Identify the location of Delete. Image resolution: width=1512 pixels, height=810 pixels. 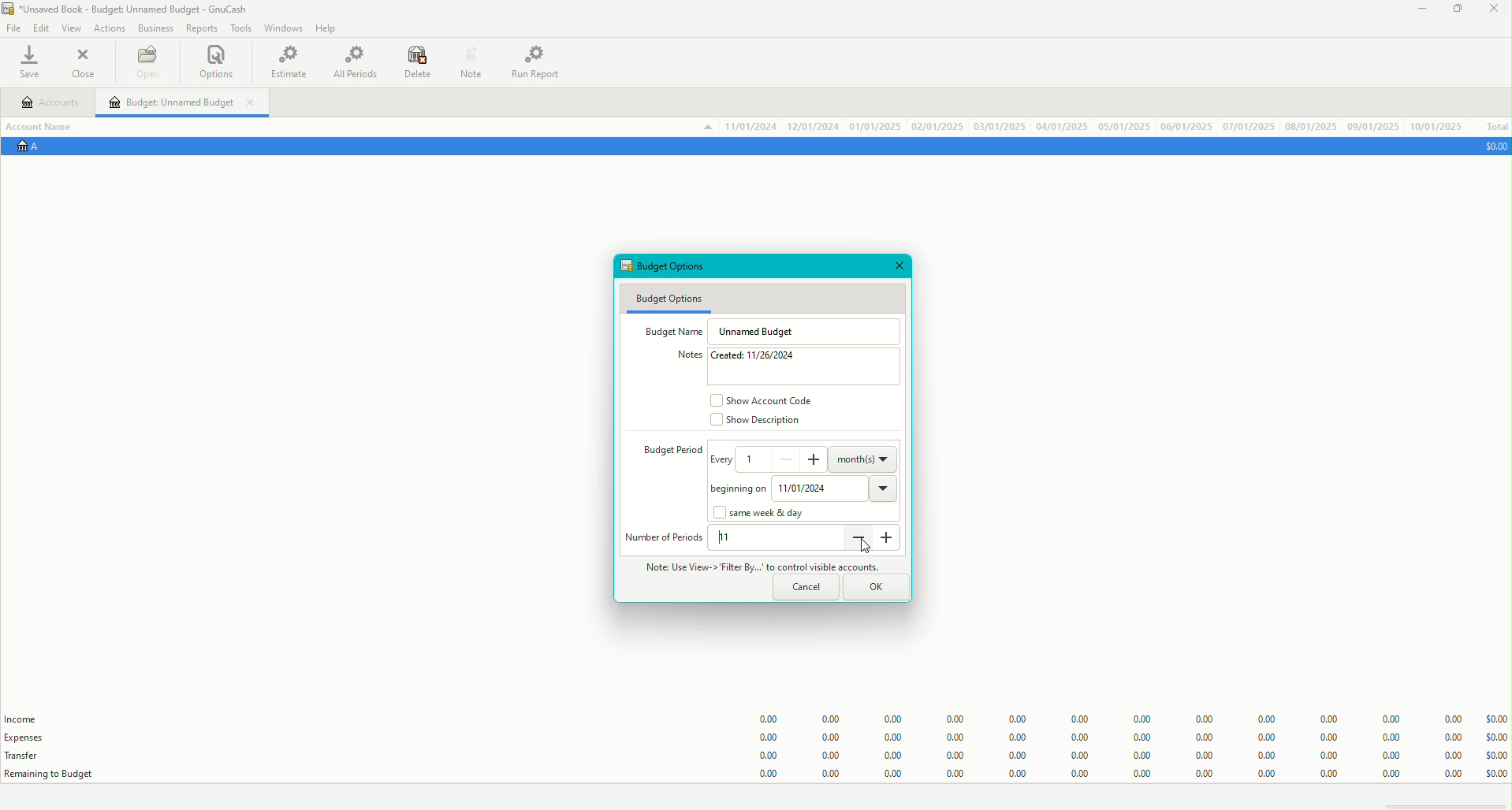
(418, 64).